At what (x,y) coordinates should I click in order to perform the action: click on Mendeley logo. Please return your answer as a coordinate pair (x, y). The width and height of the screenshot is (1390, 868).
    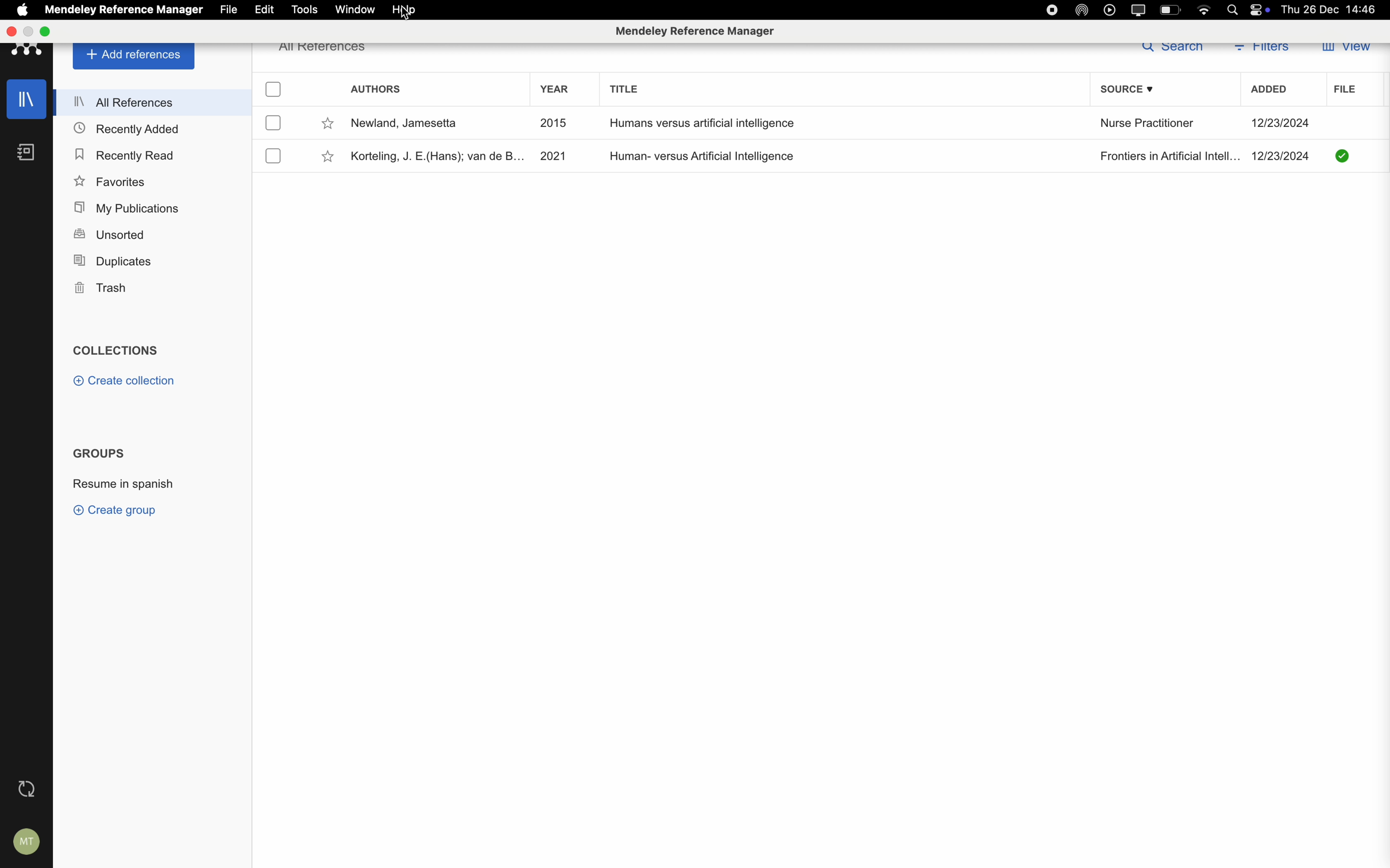
    Looking at the image, I should click on (25, 52).